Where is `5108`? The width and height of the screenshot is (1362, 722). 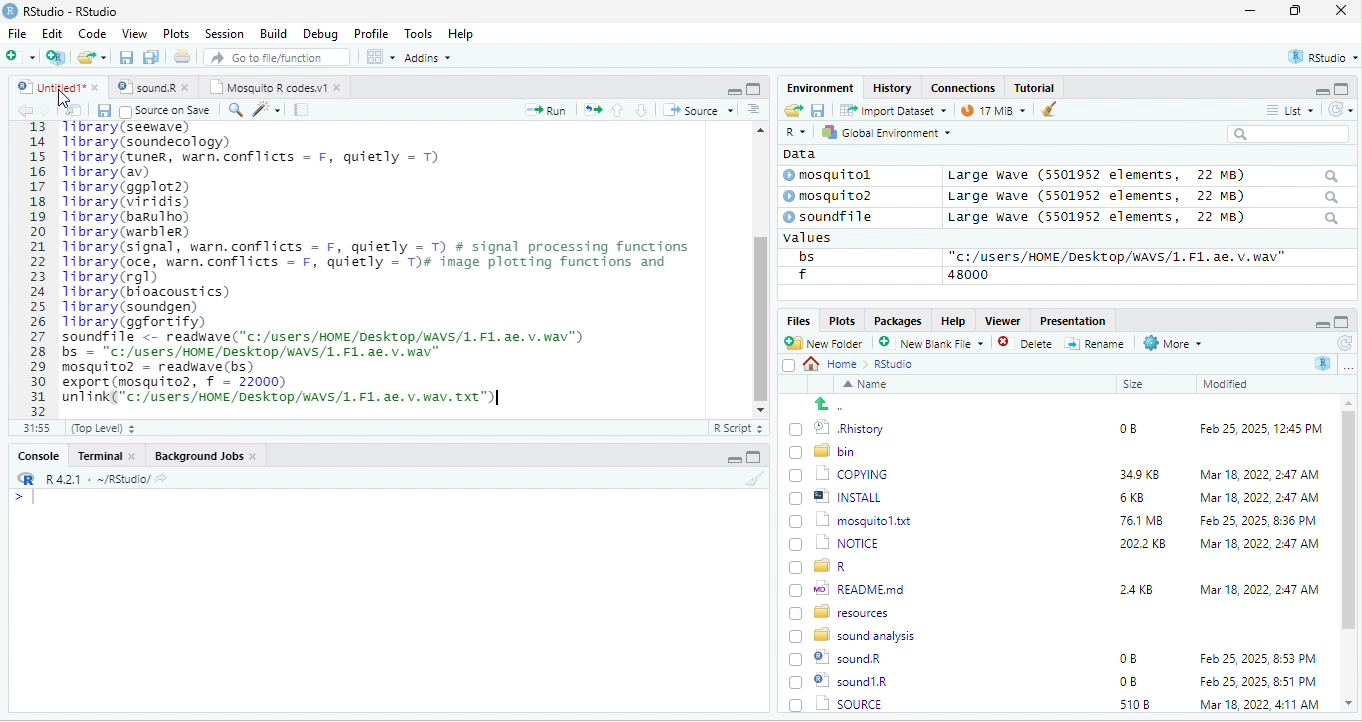
5108 is located at coordinates (1130, 680).